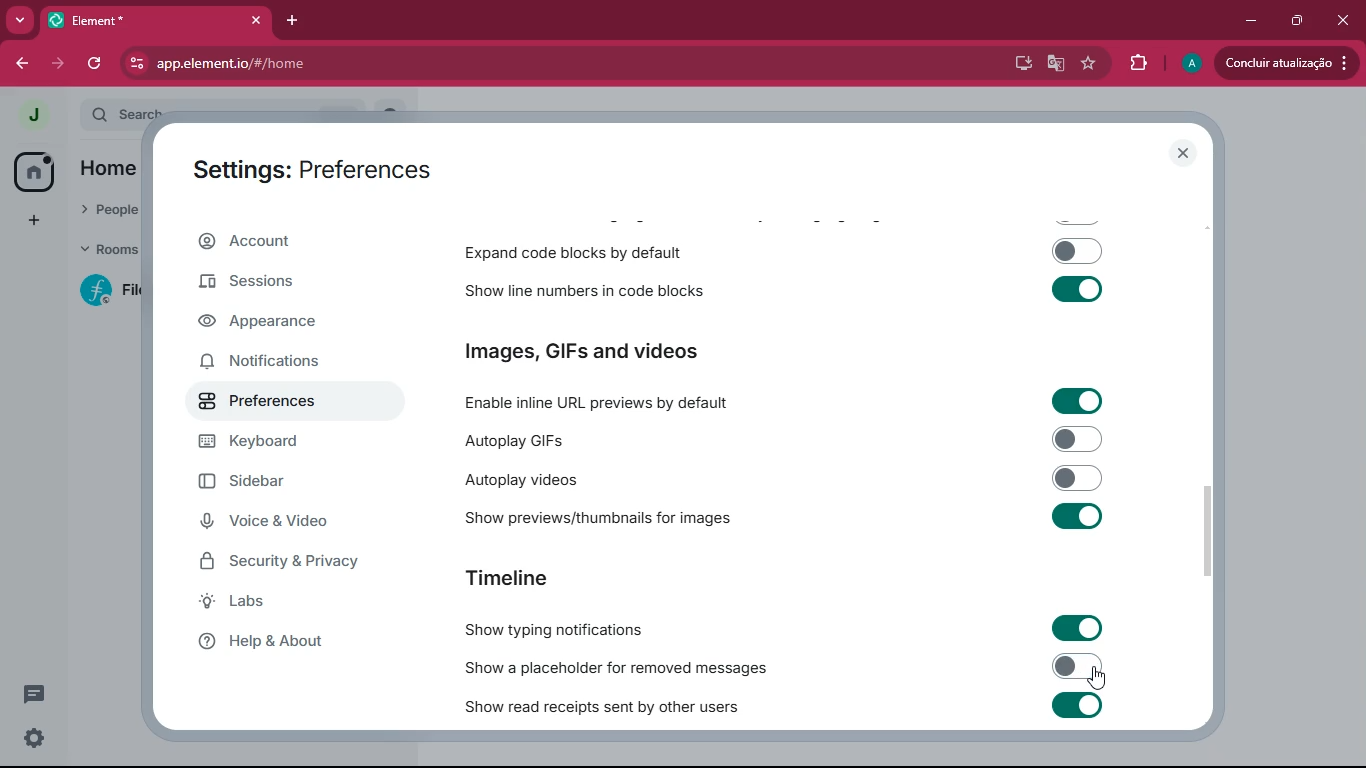  I want to click on cursor, so click(1095, 678).